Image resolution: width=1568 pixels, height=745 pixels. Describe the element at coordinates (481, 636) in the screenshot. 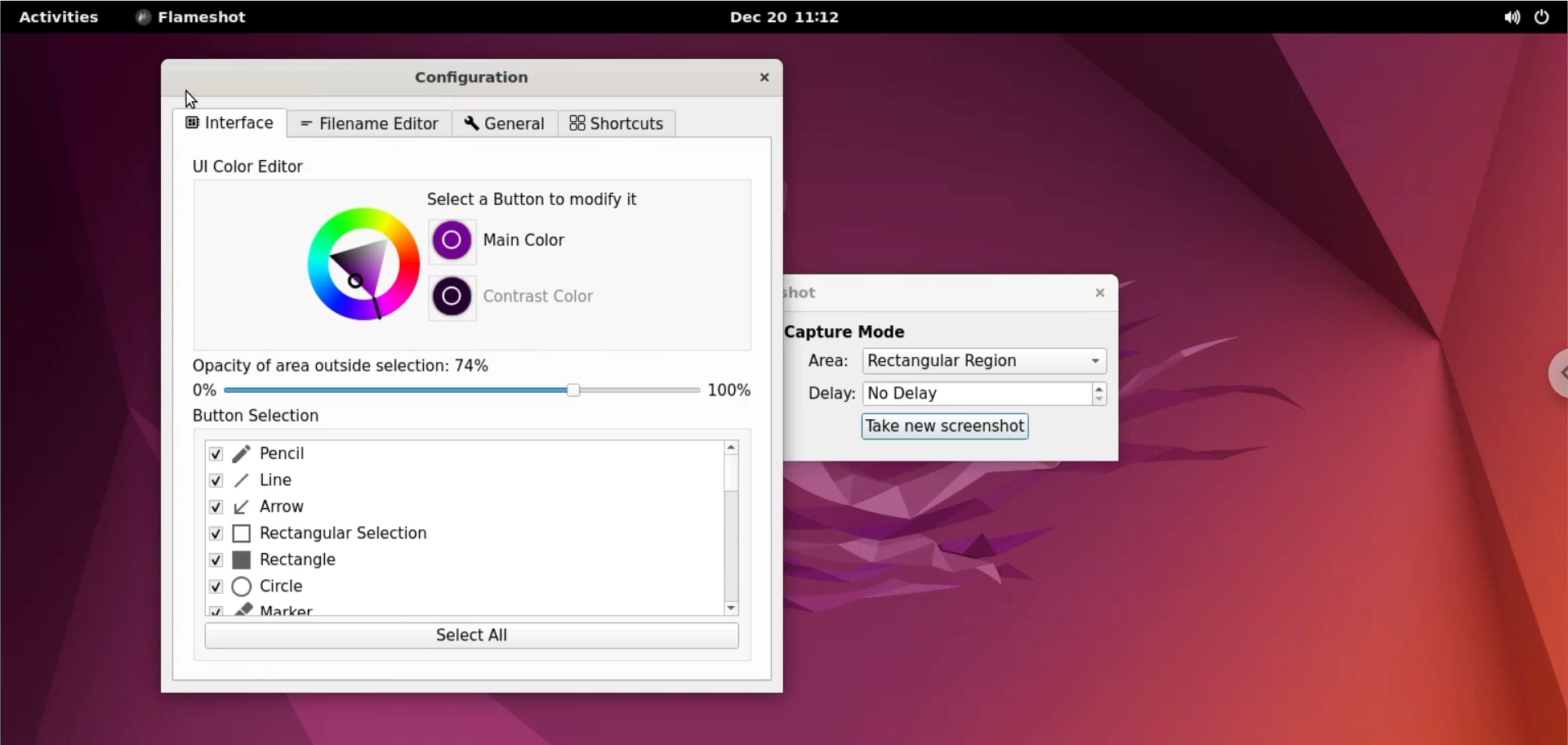

I see `select all button` at that location.